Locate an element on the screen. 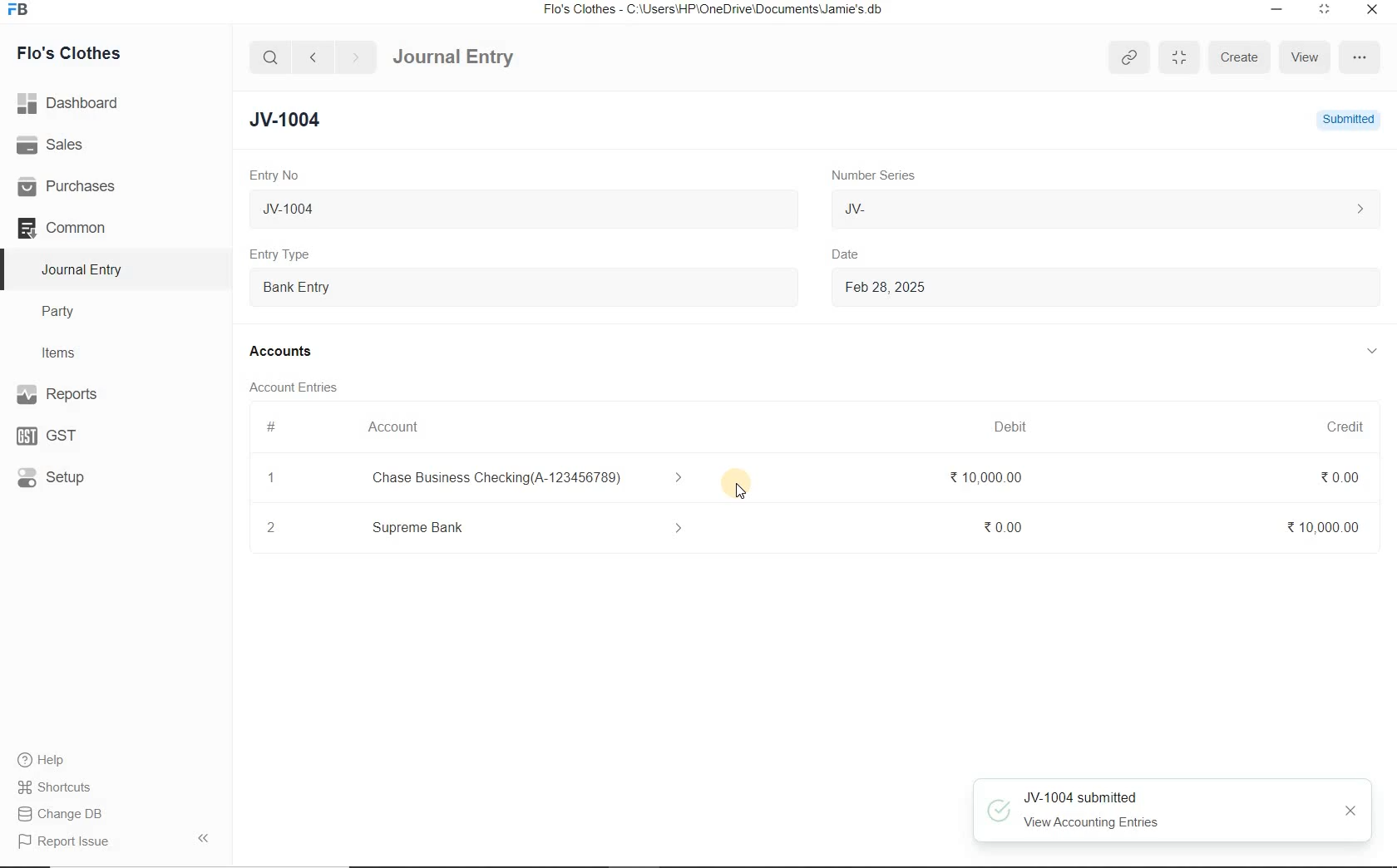  Setup is located at coordinates (67, 476).